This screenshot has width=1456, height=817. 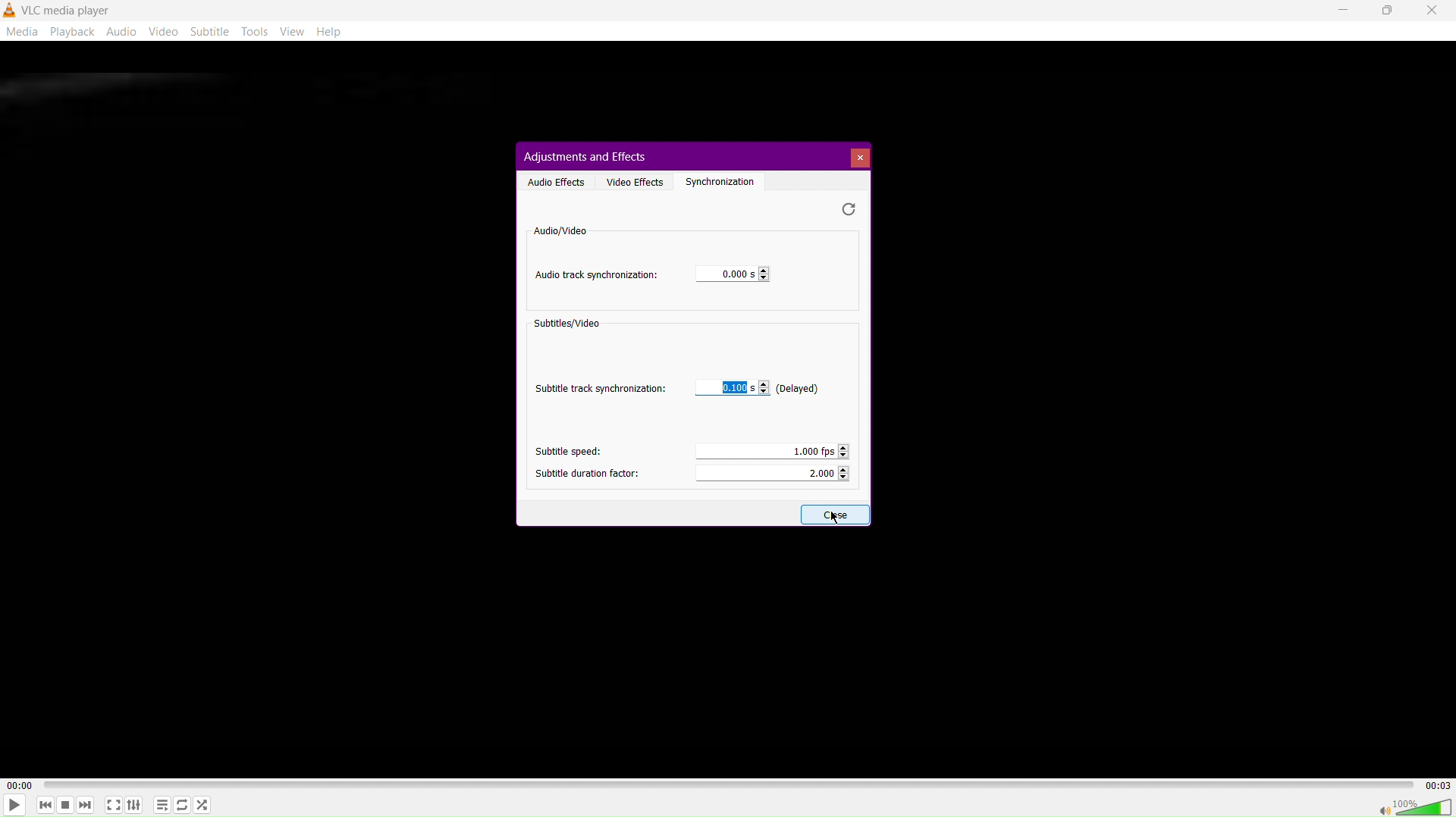 What do you see at coordinates (137, 805) in the screenshot?
I see `Extended Settings` at bounding box center [137, 805].